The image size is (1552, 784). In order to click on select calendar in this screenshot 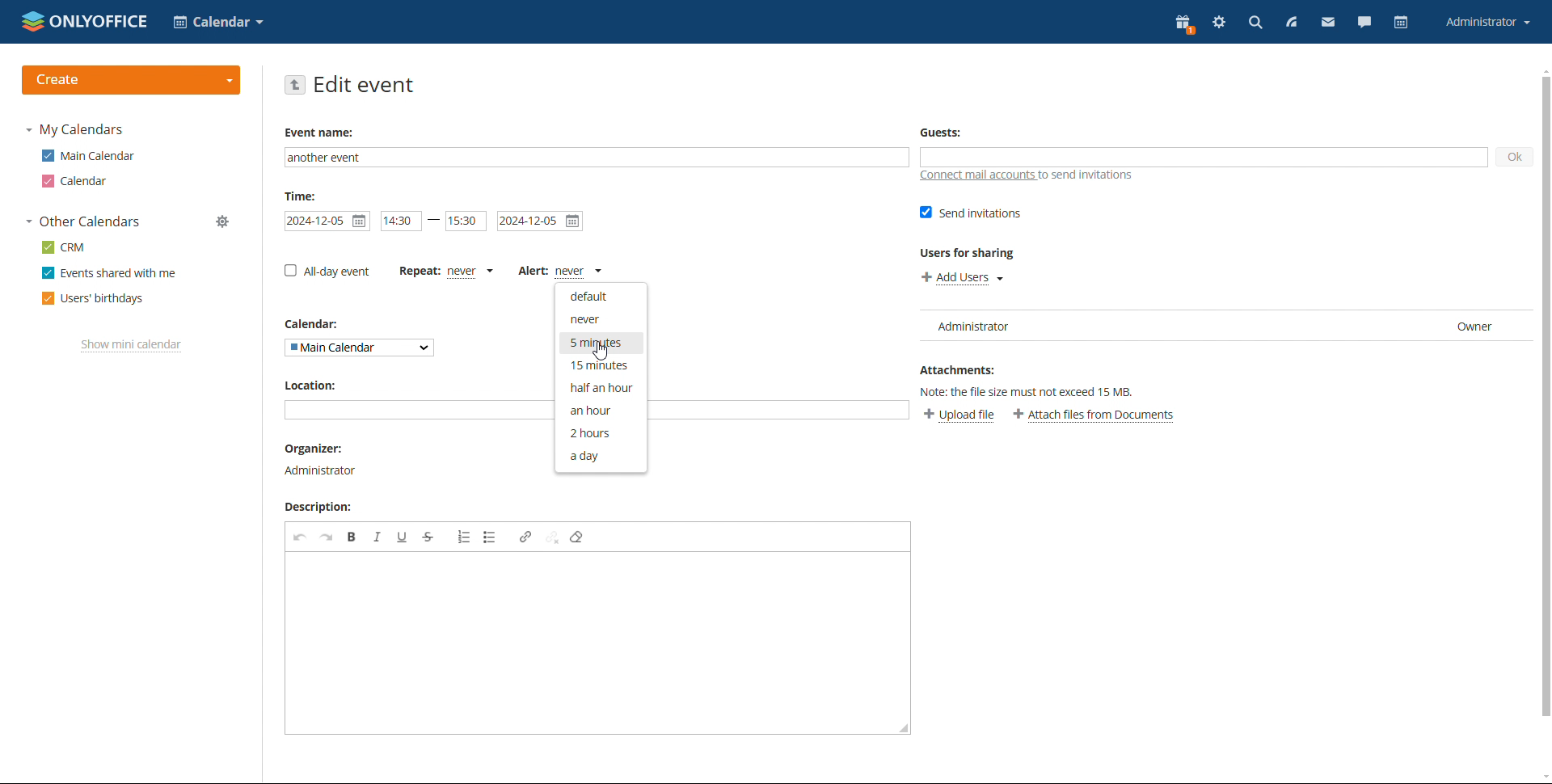, I will do `click(218, 22)`.